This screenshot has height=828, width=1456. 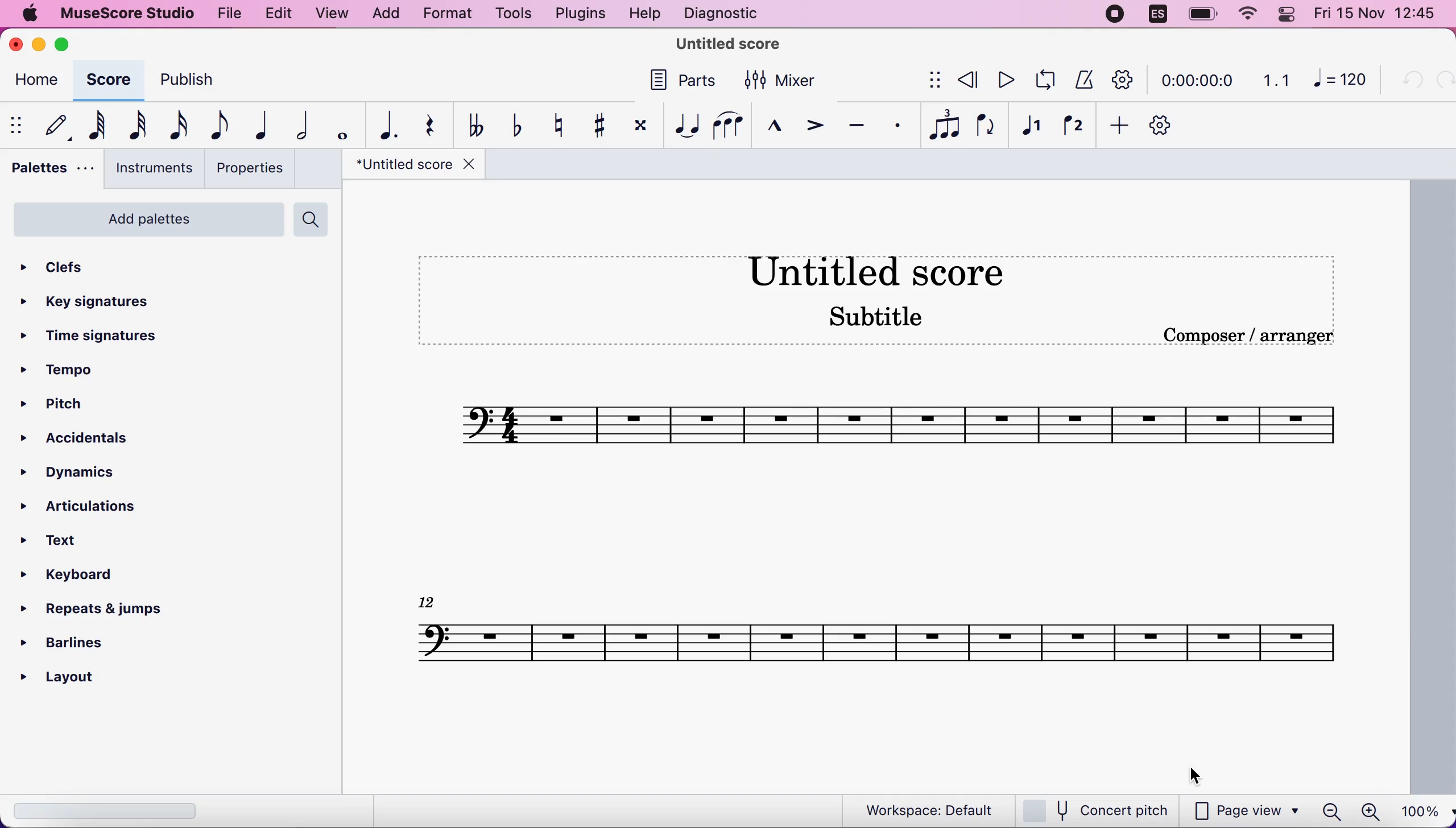 I want to click on diagnostic, so click(x=725, y=13).